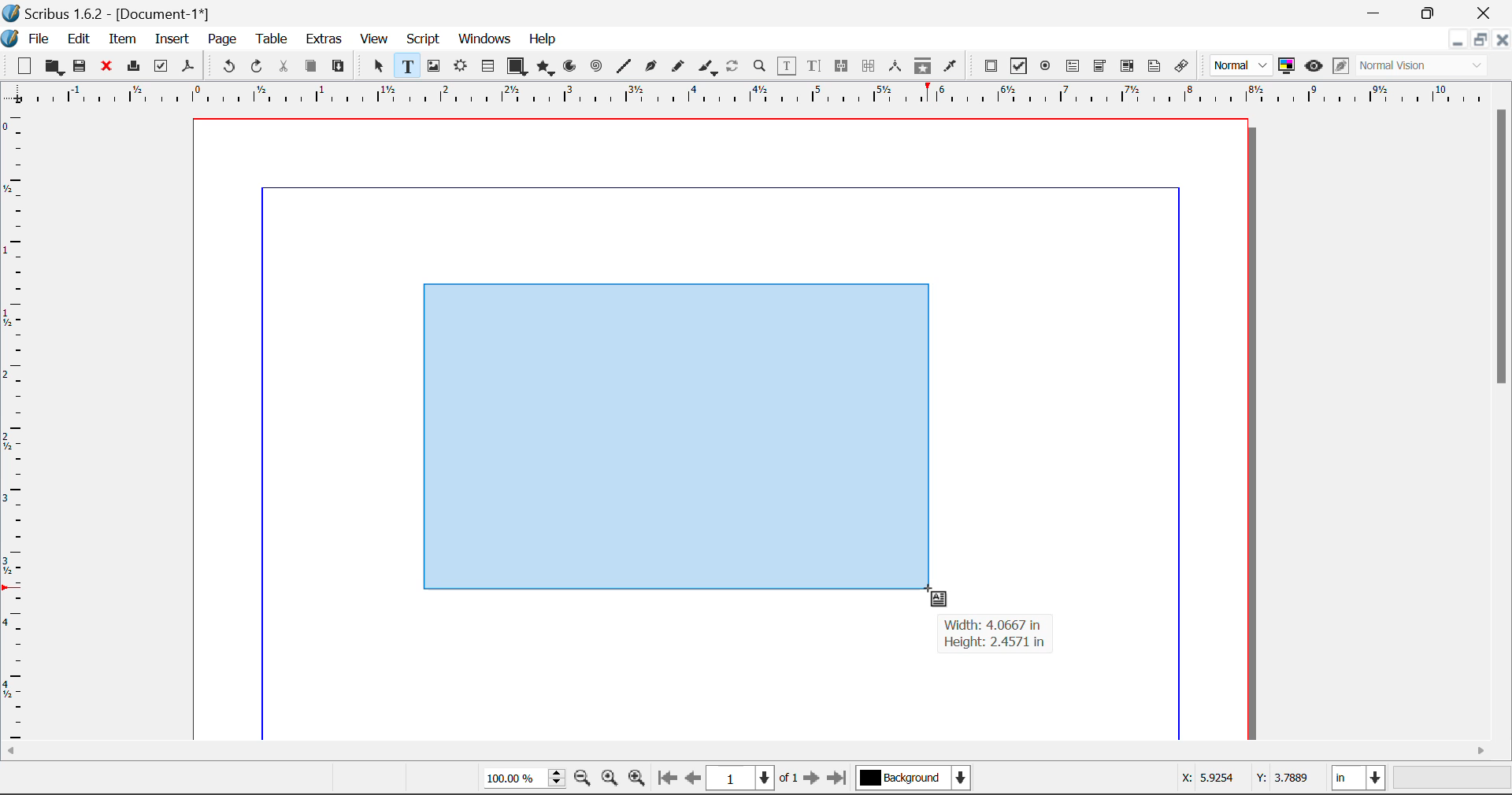  What do you see at coordinates (1457, 39) in the screenshot?
I see `Restore Down` at bounding box center [1457, 39].